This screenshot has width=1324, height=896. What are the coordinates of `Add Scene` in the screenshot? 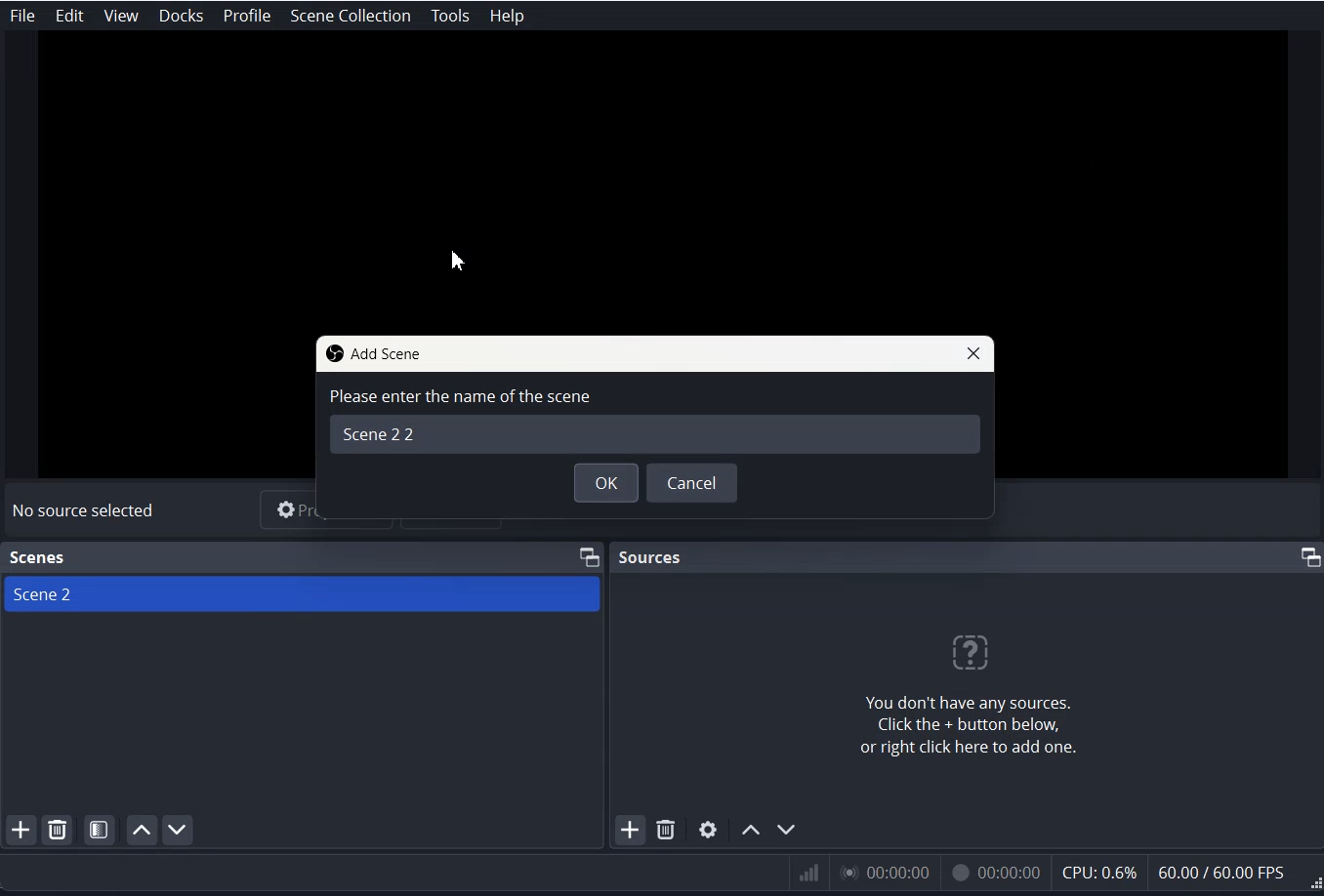 It's located at (372, 355).